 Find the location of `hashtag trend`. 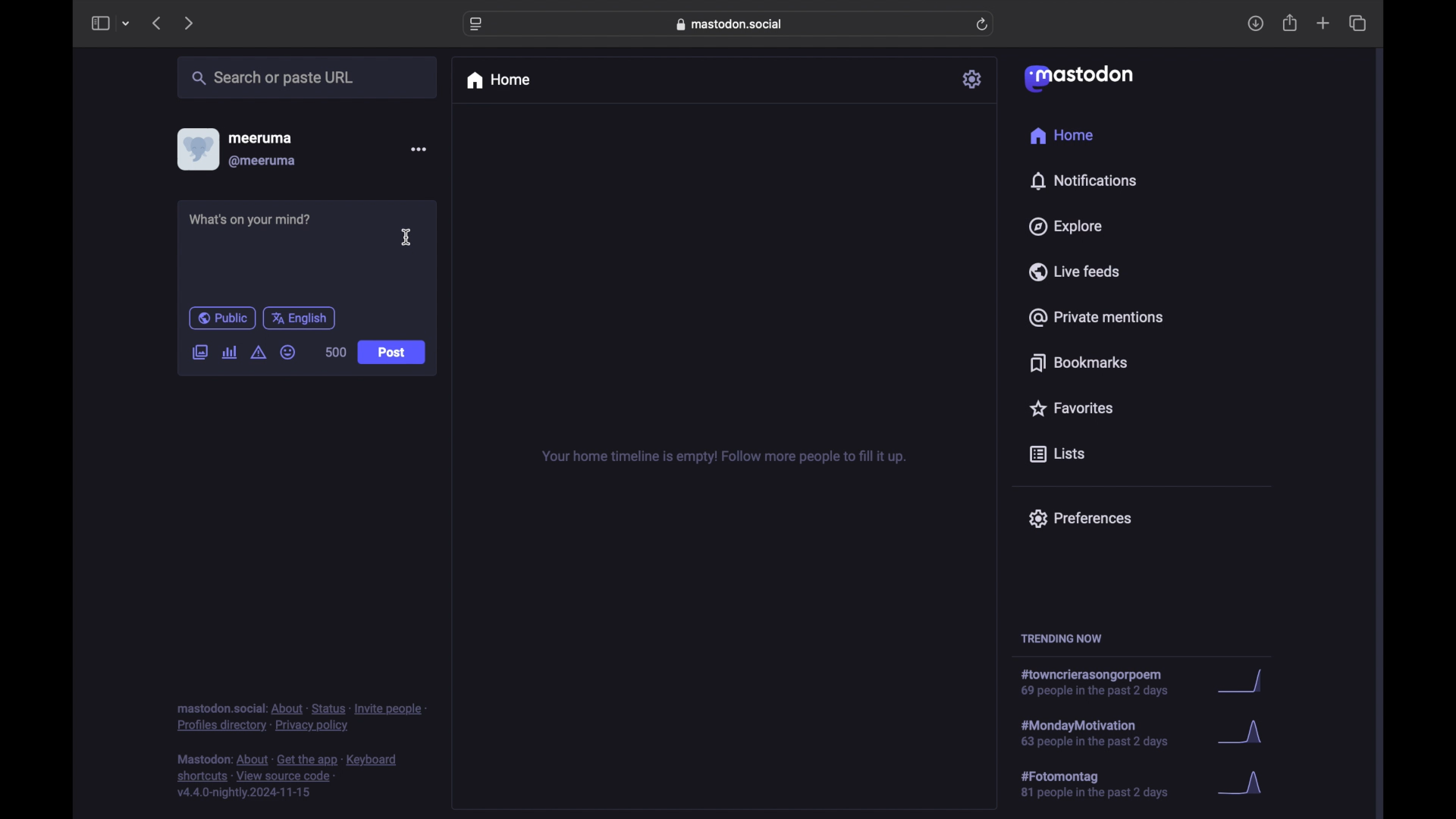

hashtag trend is located at coordinates (1103, 683).